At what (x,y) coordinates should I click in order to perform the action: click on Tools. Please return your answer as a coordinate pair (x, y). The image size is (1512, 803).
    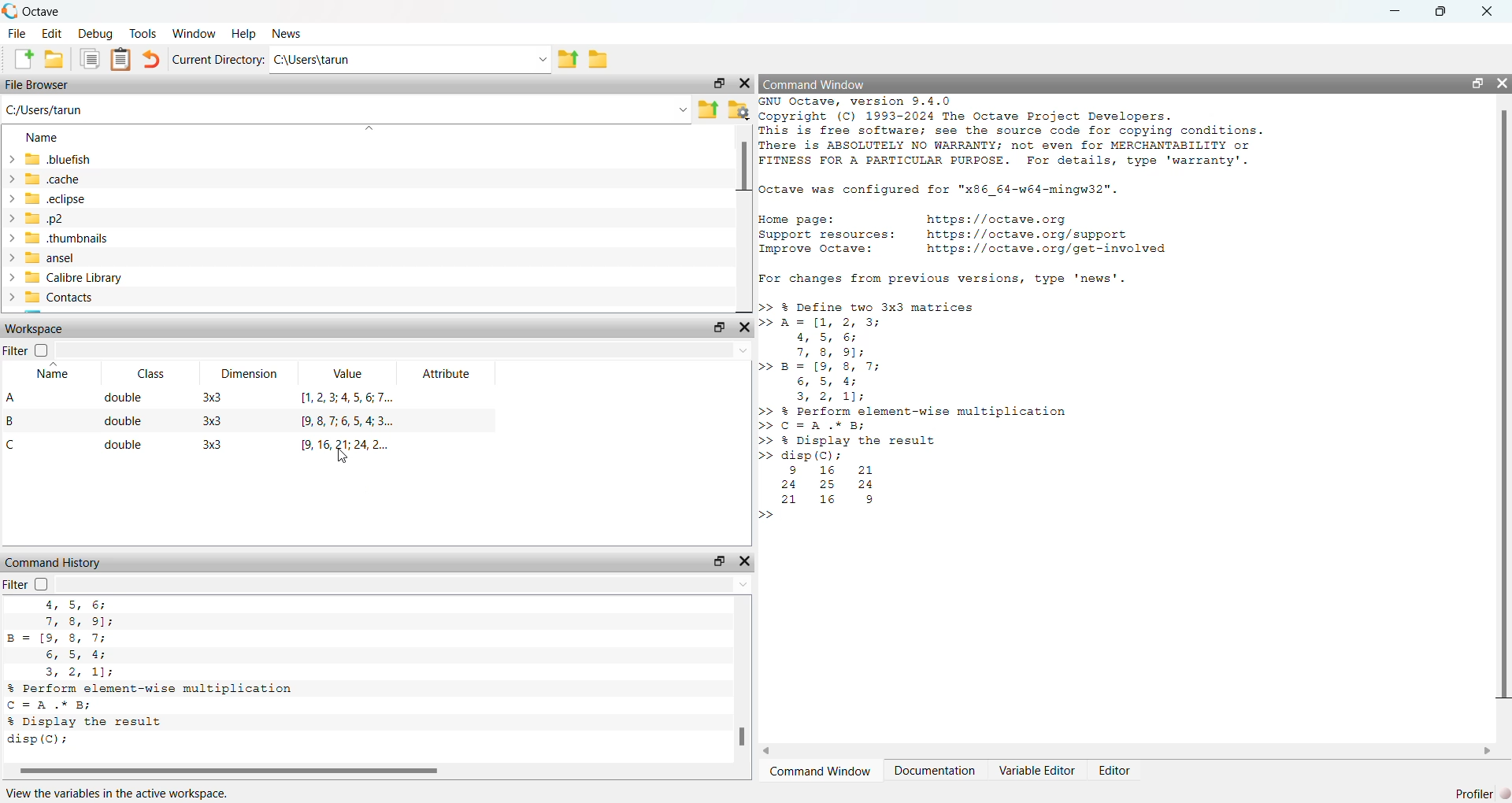
    Looking at the image, I should click on (143, 32).